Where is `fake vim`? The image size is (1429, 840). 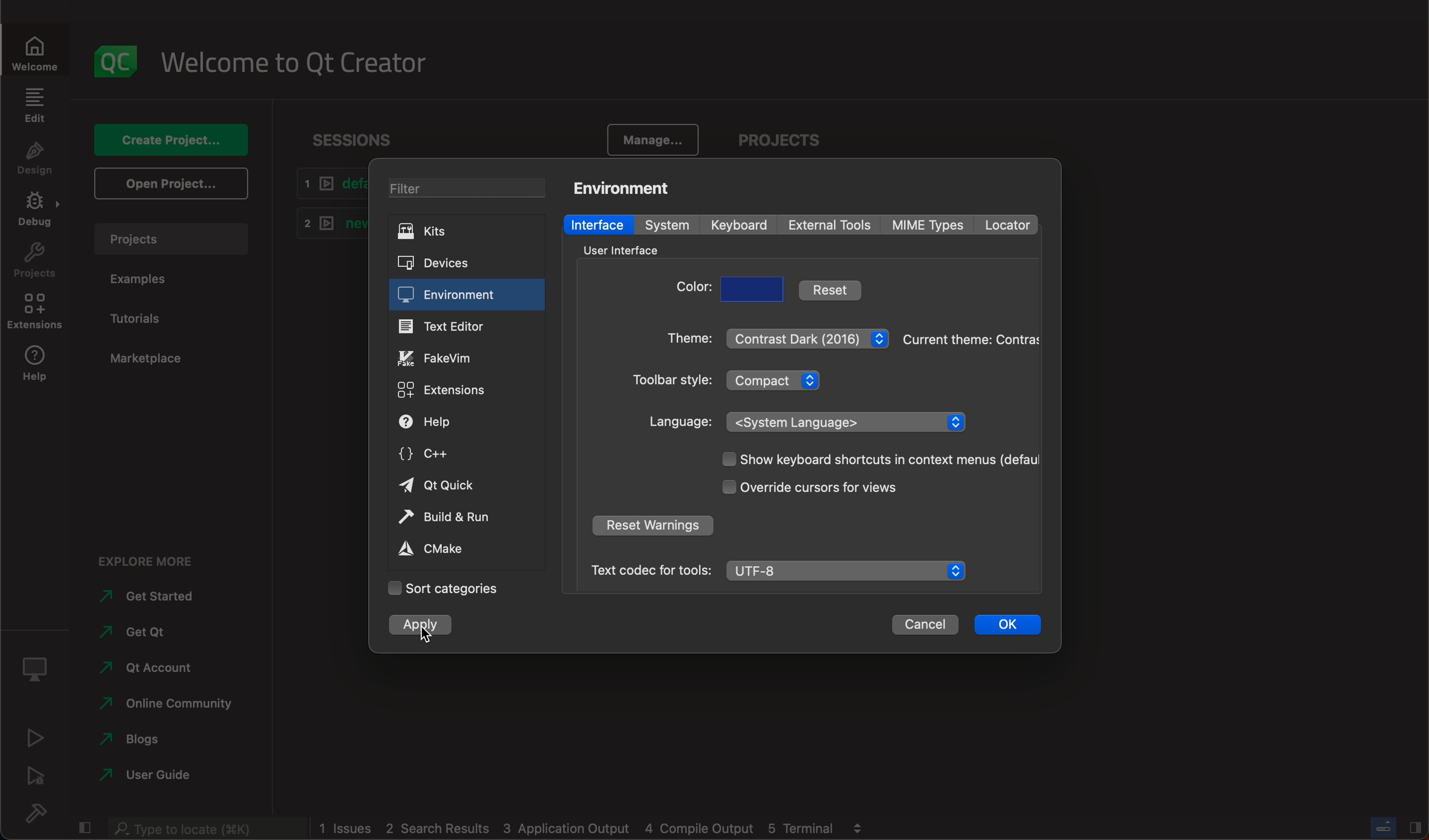 fake vim is located at coordinates (466, 357).